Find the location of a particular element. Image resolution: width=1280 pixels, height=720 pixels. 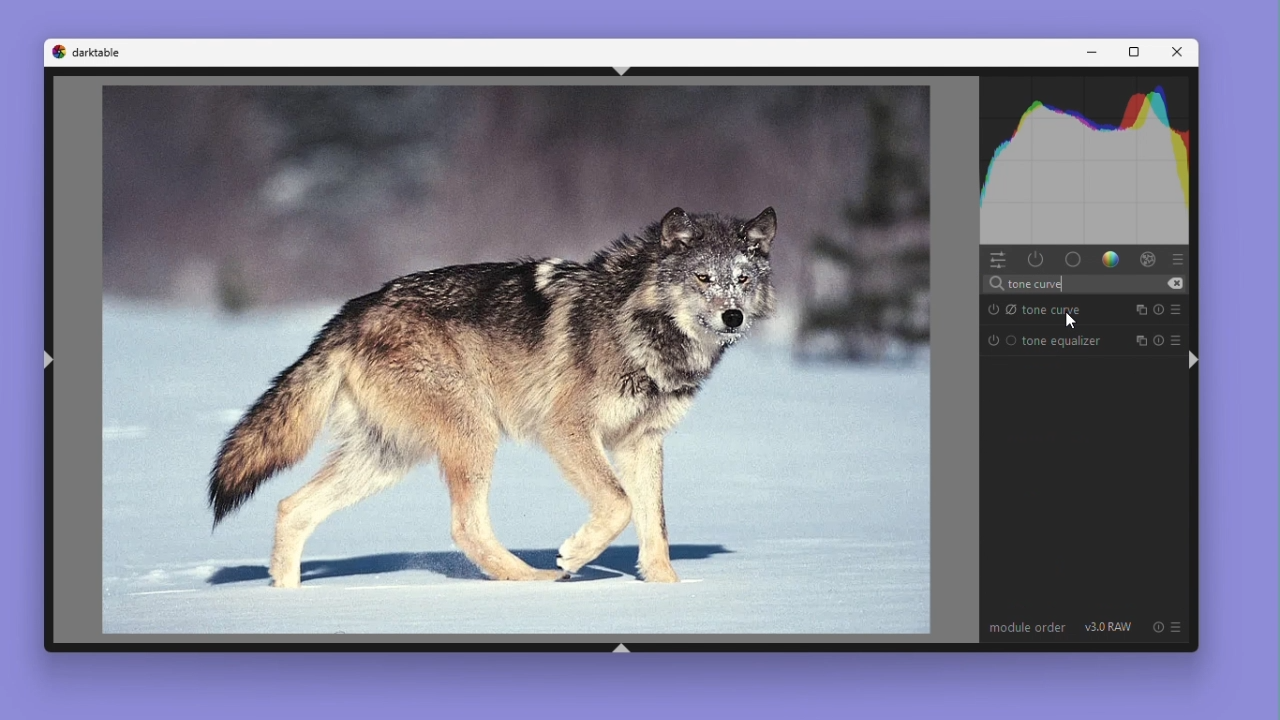

base is located at coordinates (1073, 259).